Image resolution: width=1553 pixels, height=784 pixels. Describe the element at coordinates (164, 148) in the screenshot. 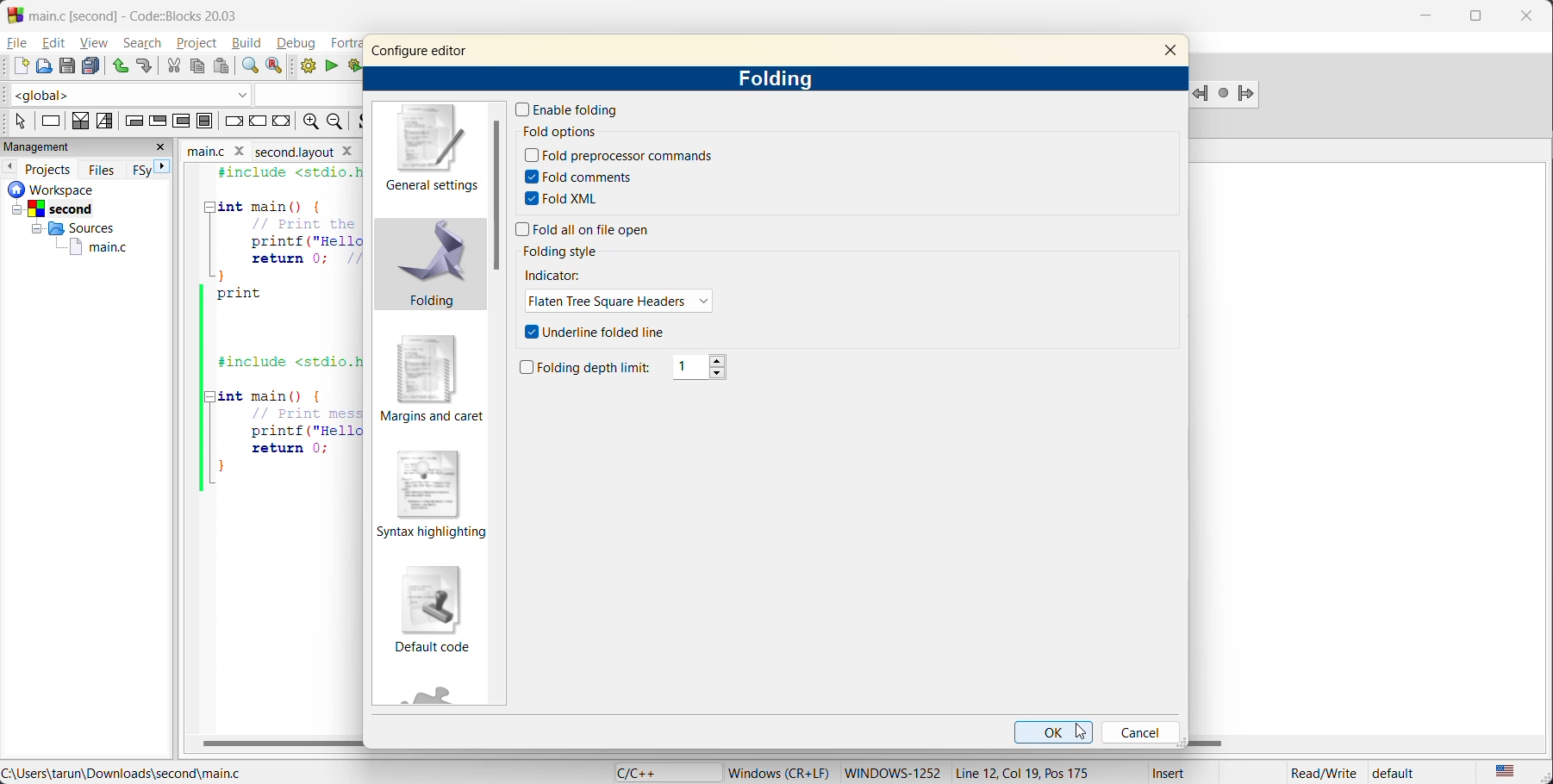

I see `close` at that location.